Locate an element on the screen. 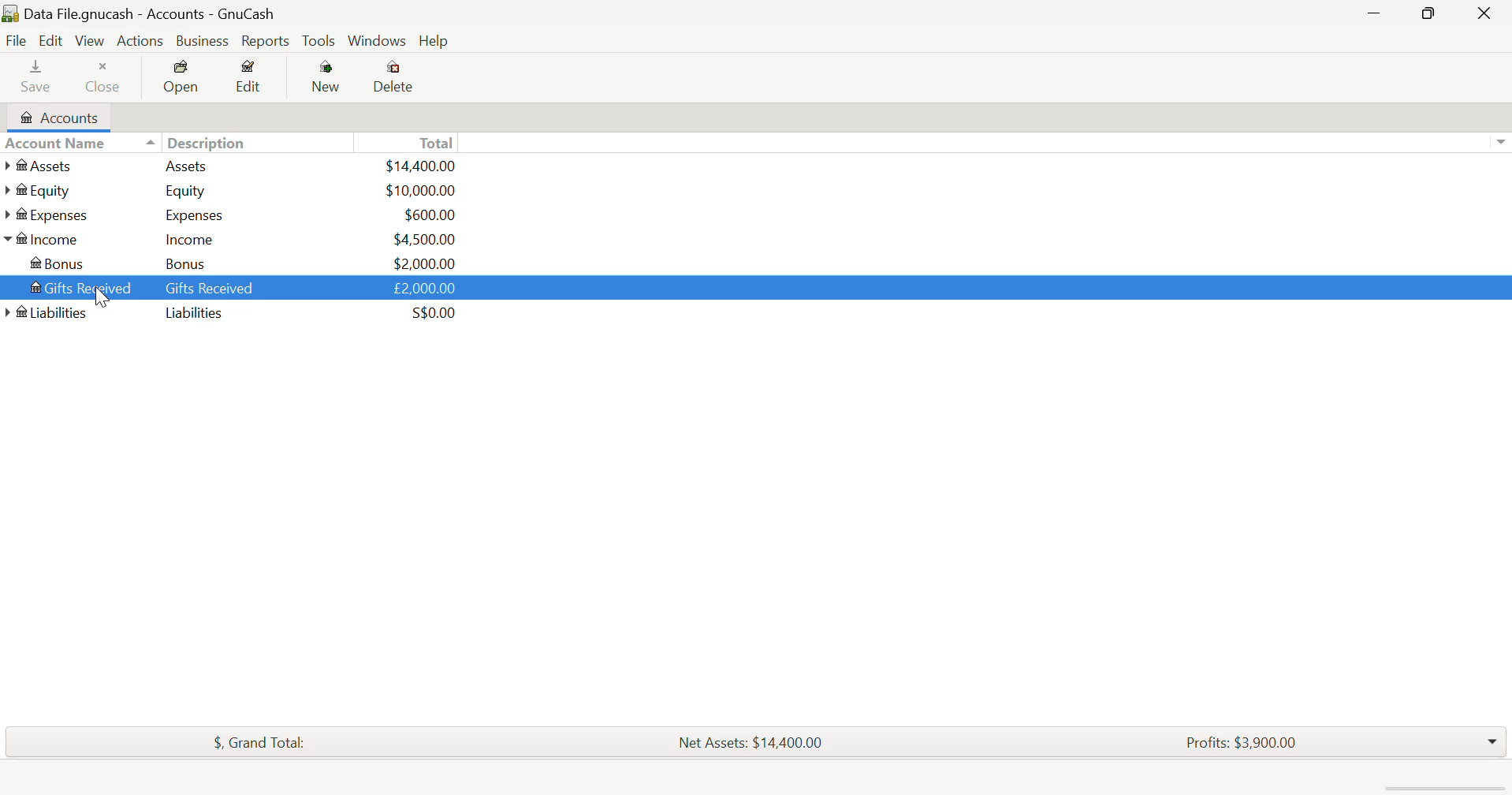 The height and width of the screenshot is (795, 1512). USD is located at coordinates (423, 239).